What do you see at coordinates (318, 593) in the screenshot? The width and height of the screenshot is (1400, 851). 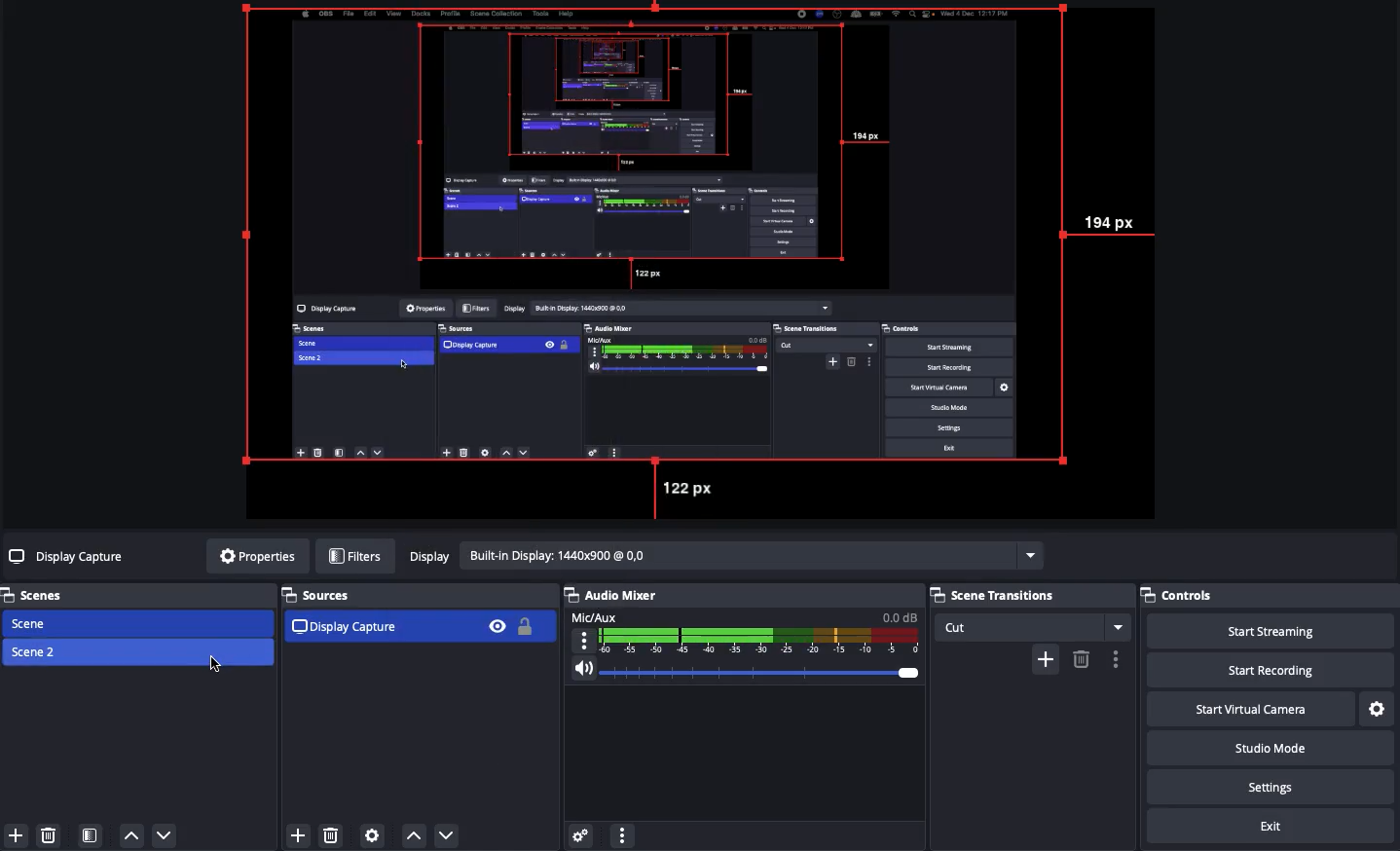 I see `Sources` at bounding box center [318, 593].